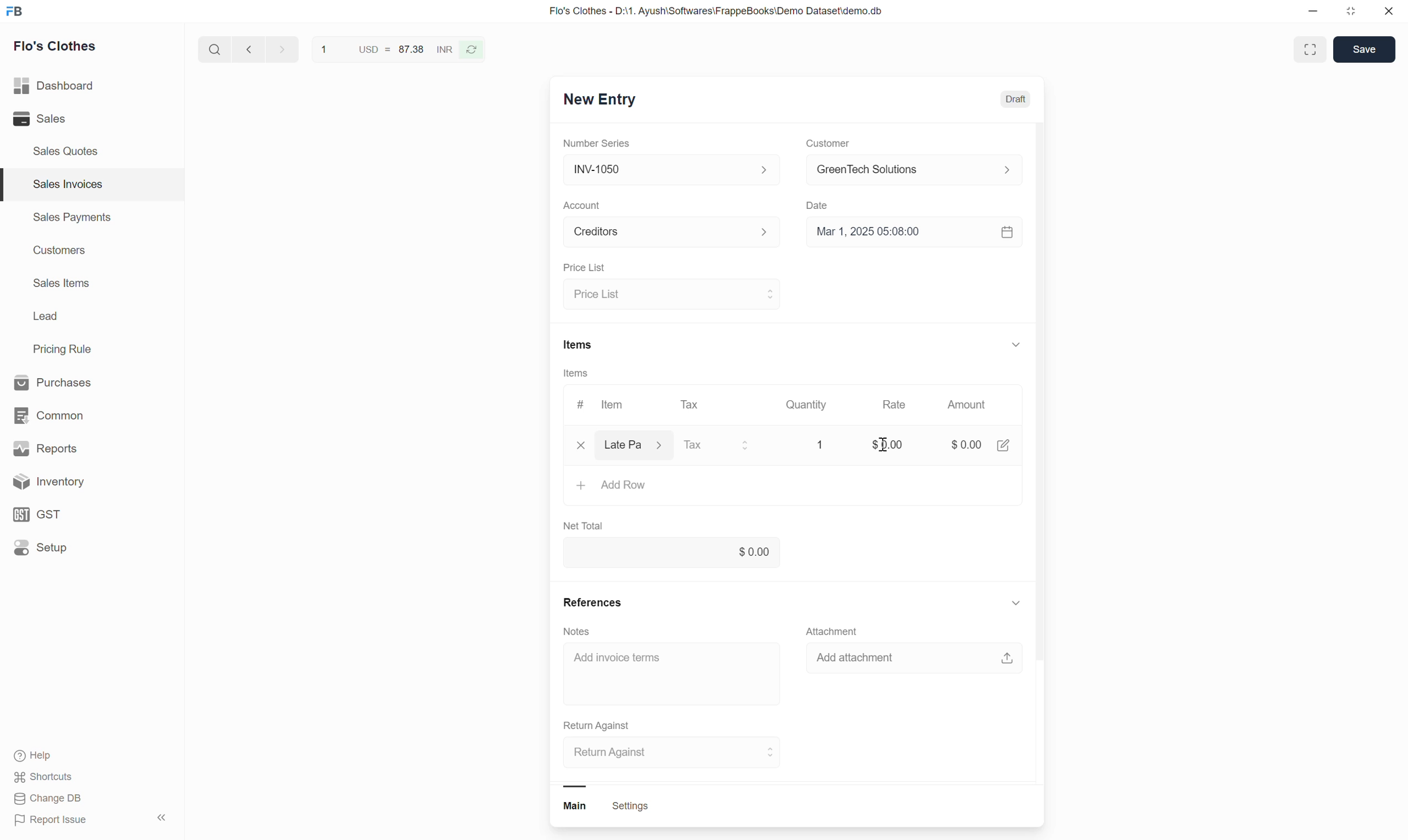 The height and width of the screenshot is (840, 1408). Describe the element at coordinates (577, 344) in the screenshot. I see `Items` at that location.